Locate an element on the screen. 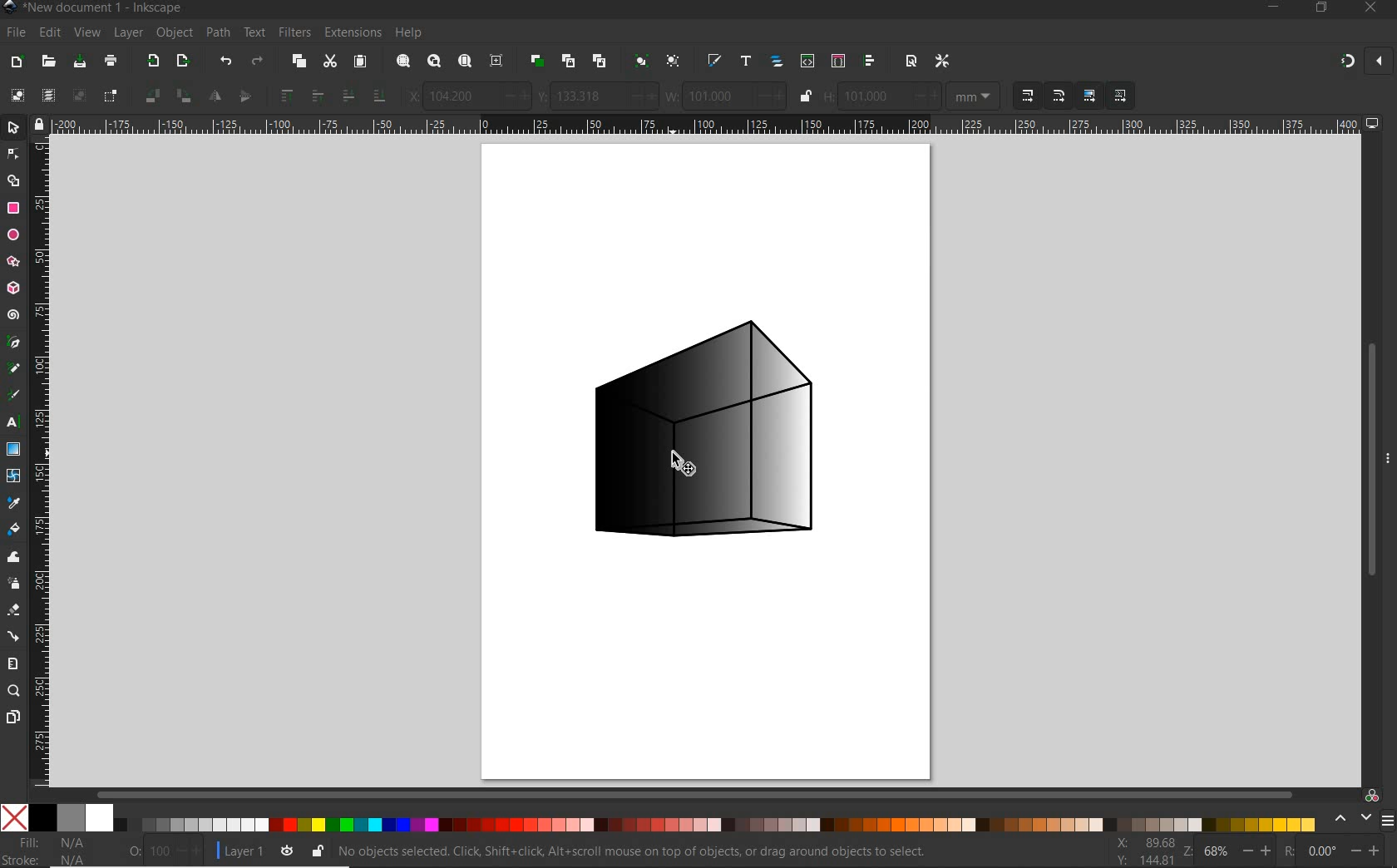 The width and height of the screenshot is (1397, 868). SCROLLBAR is located at coordinates (1371, 461).